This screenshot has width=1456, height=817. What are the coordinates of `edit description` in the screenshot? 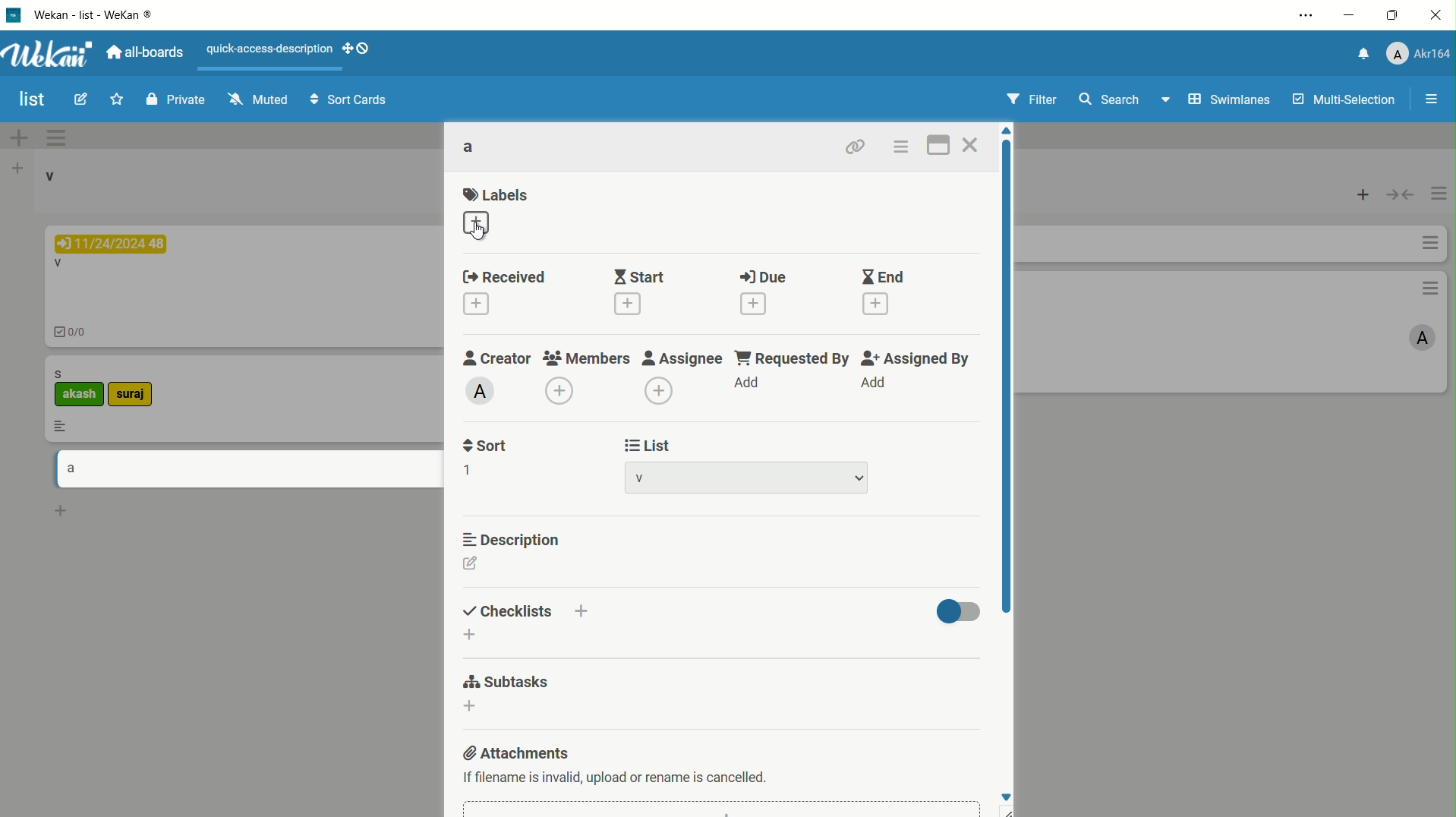 It's located at (471, 563).